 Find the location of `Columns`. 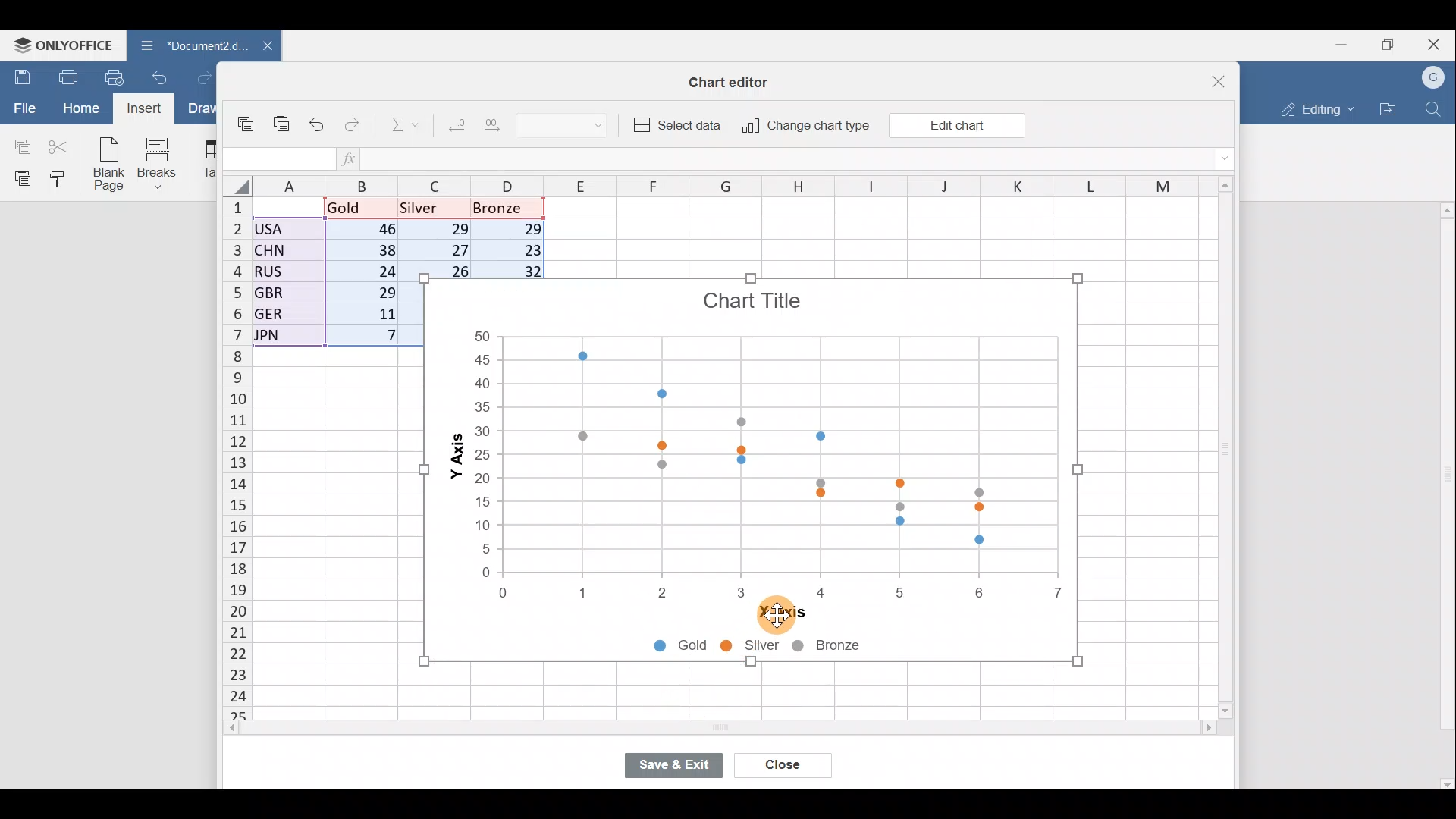

Columns is located at coordinates (730, 186).